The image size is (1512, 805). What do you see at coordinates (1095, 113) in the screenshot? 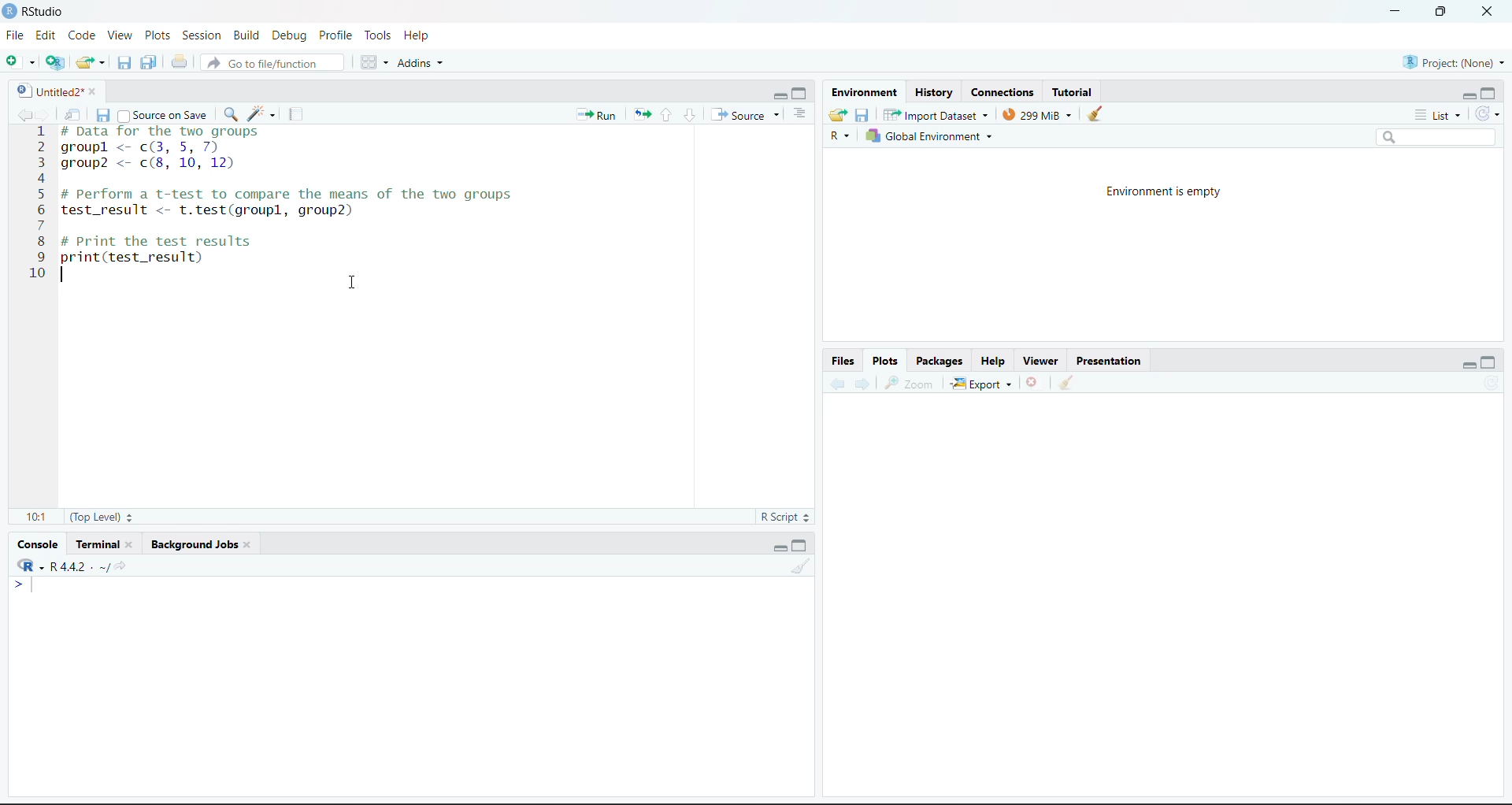
I see `clear objects from the workspace` at bounding box center [1095, 113].